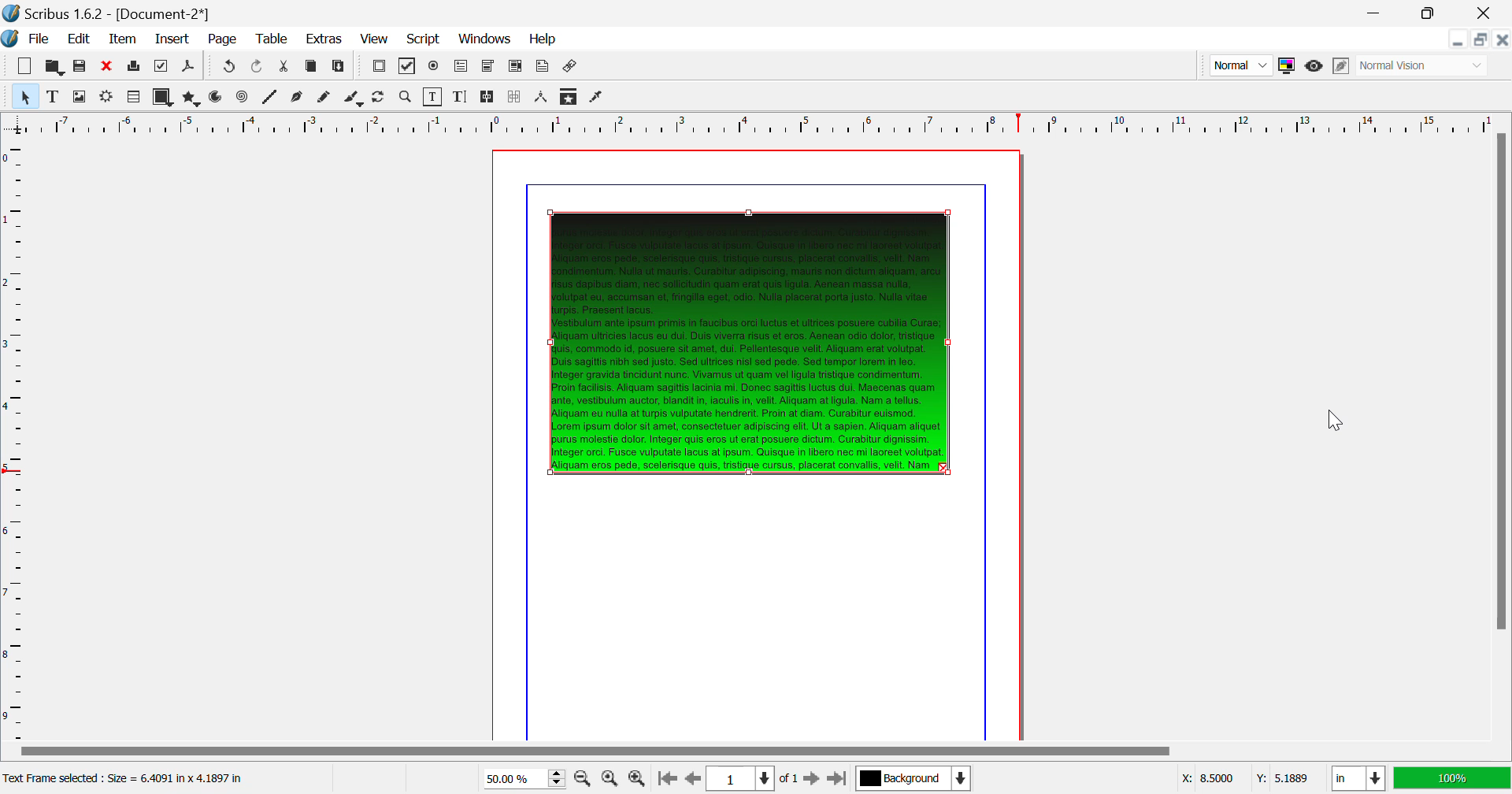  I want to click on Save as PDF, so click(189, 68).